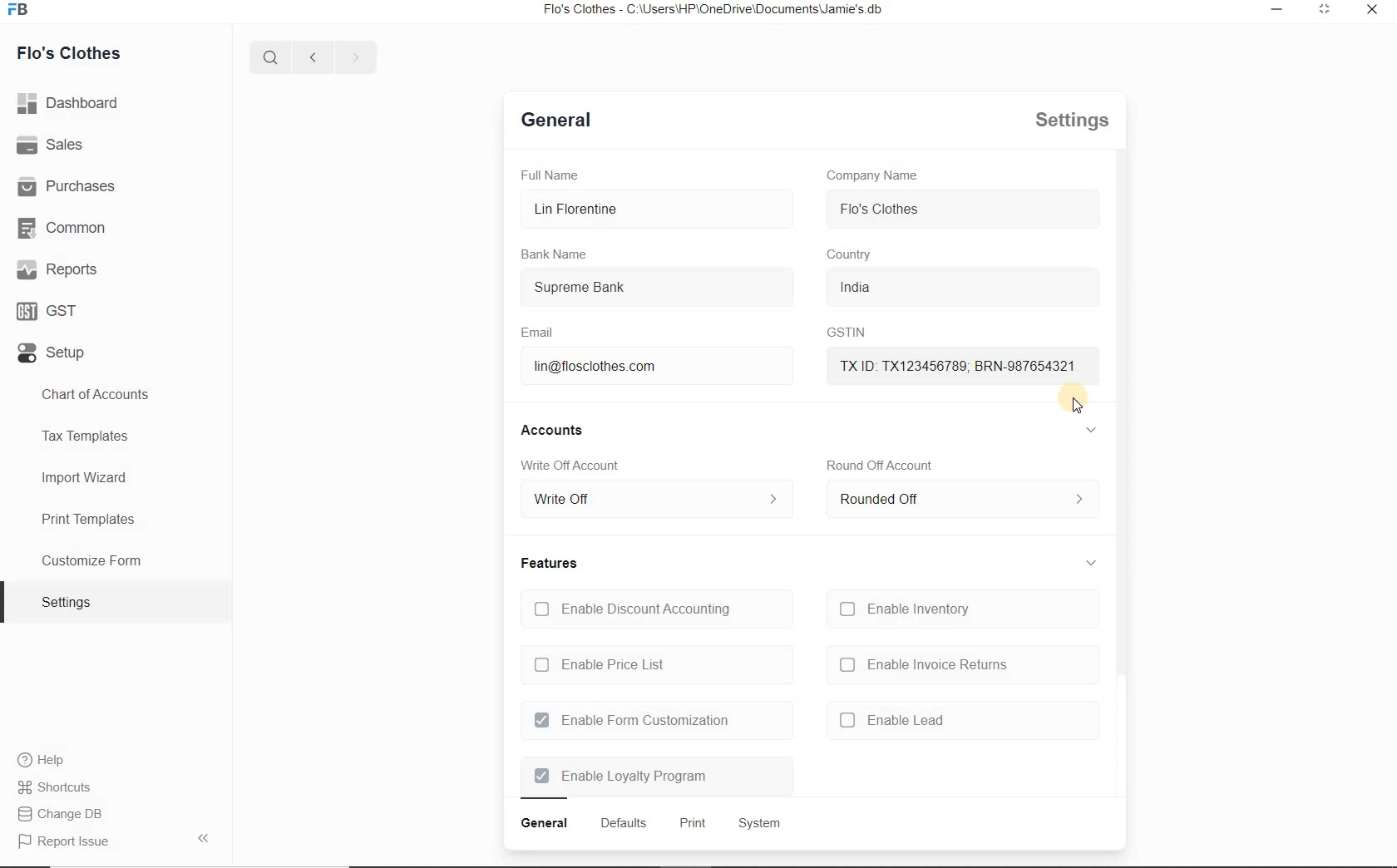  What do you see at coordinates (1065, 121) in the screenshot?
I see `settings` at bounding box center [1065, 121].